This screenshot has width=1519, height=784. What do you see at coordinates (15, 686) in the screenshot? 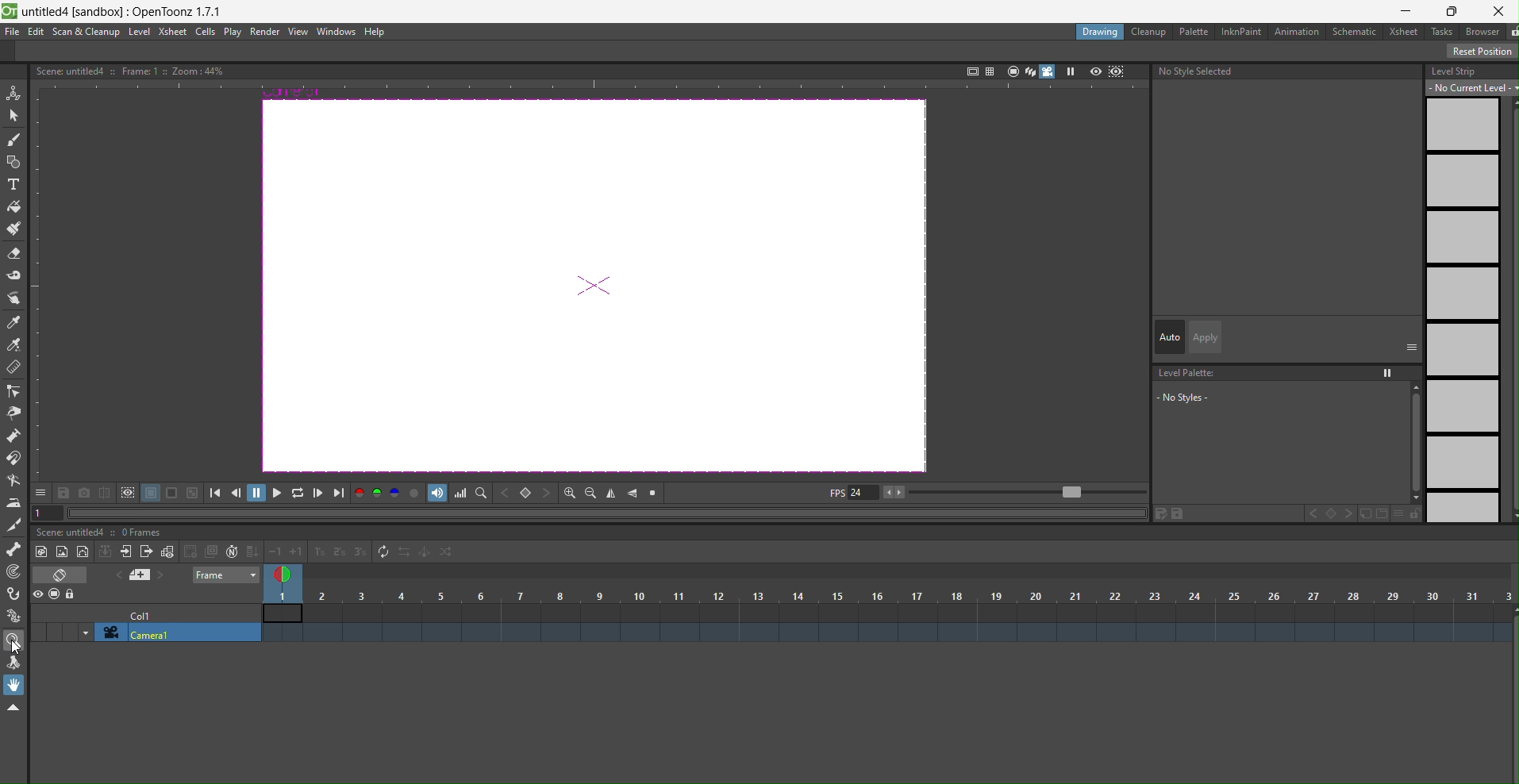
I see `` at bounding box center [15, 686].